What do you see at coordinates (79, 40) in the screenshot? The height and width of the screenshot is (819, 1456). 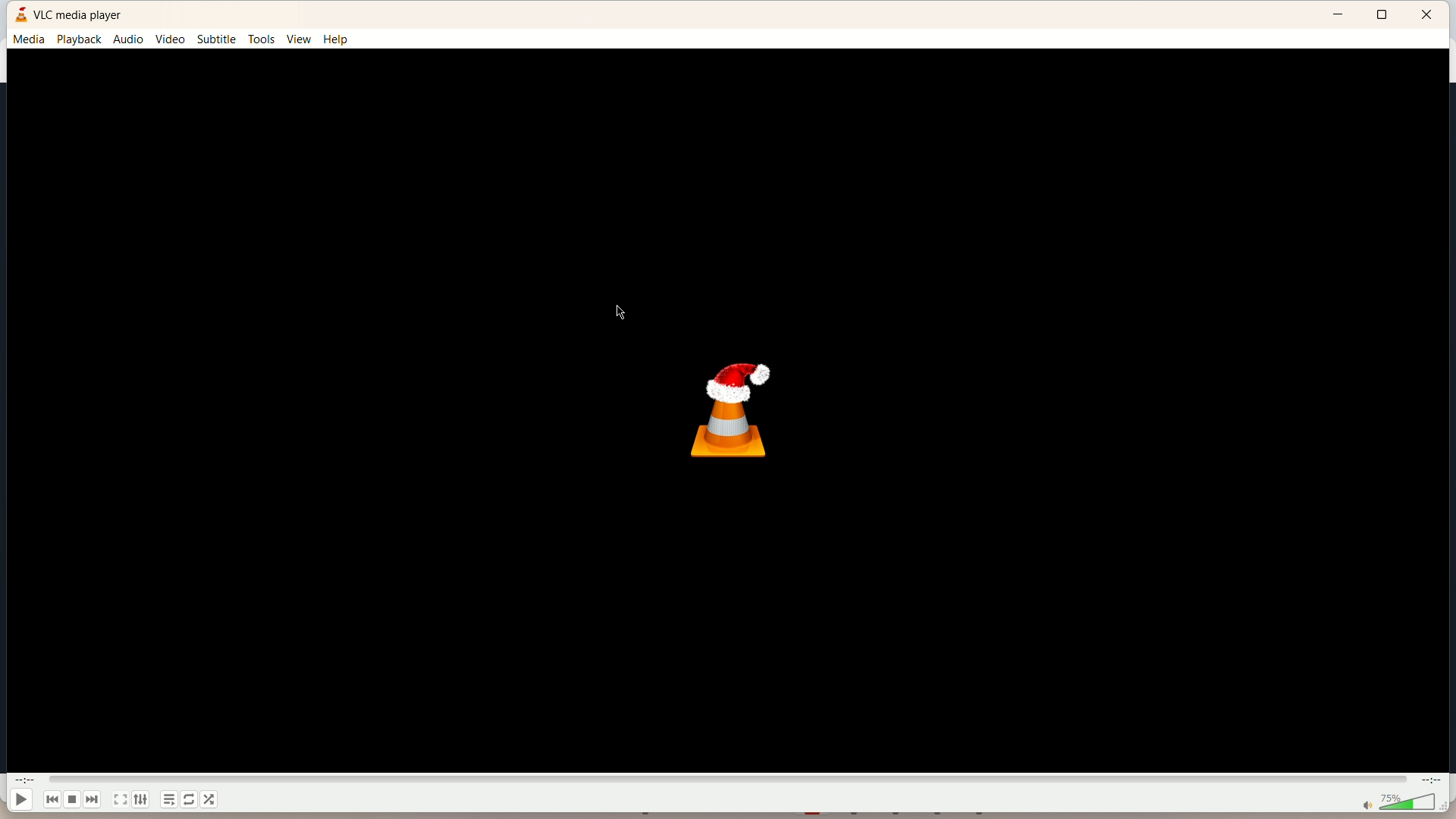 I see `playback` at bounding box center [79, 40].